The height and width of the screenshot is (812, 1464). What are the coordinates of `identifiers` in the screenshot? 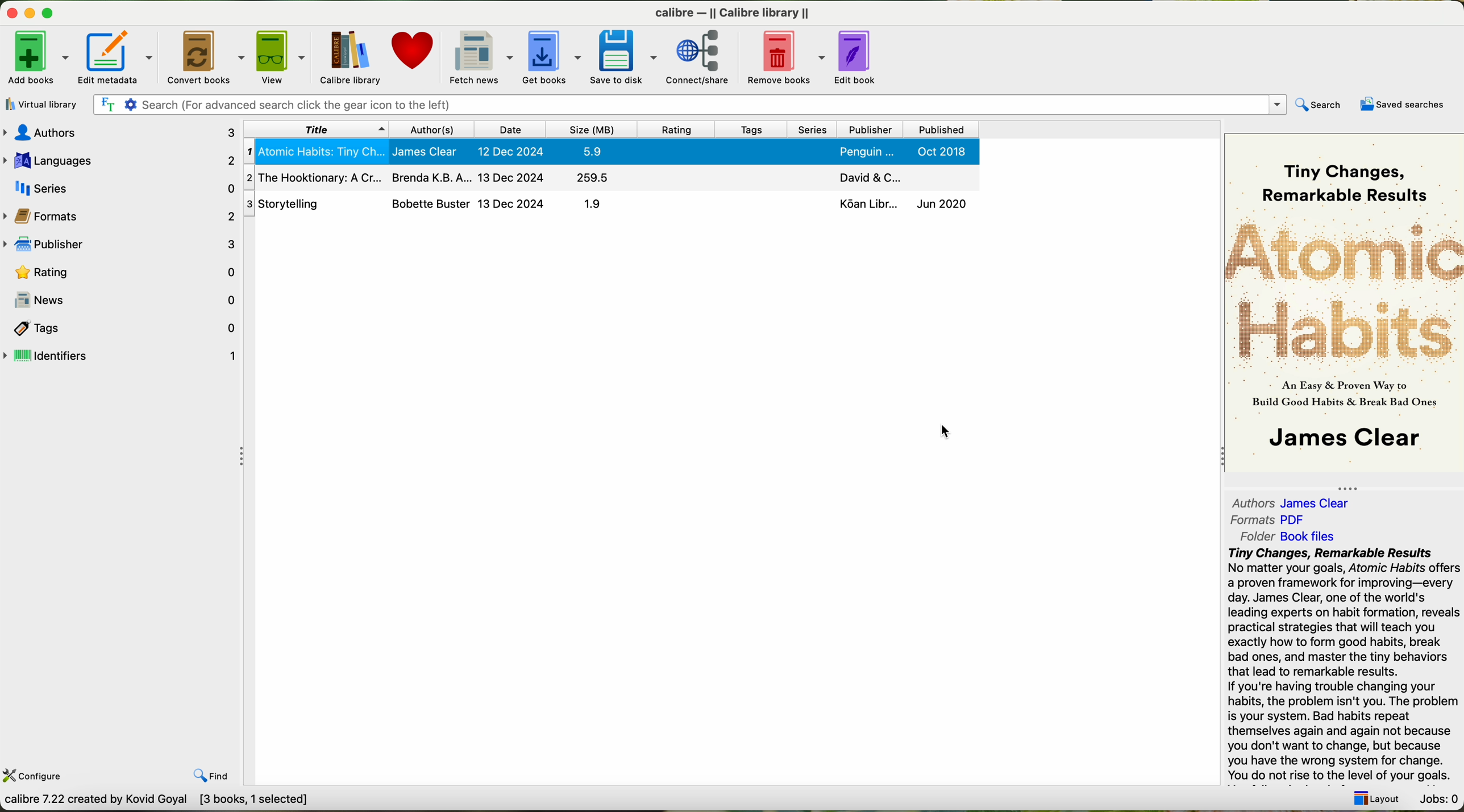 It's located at (121, 356).